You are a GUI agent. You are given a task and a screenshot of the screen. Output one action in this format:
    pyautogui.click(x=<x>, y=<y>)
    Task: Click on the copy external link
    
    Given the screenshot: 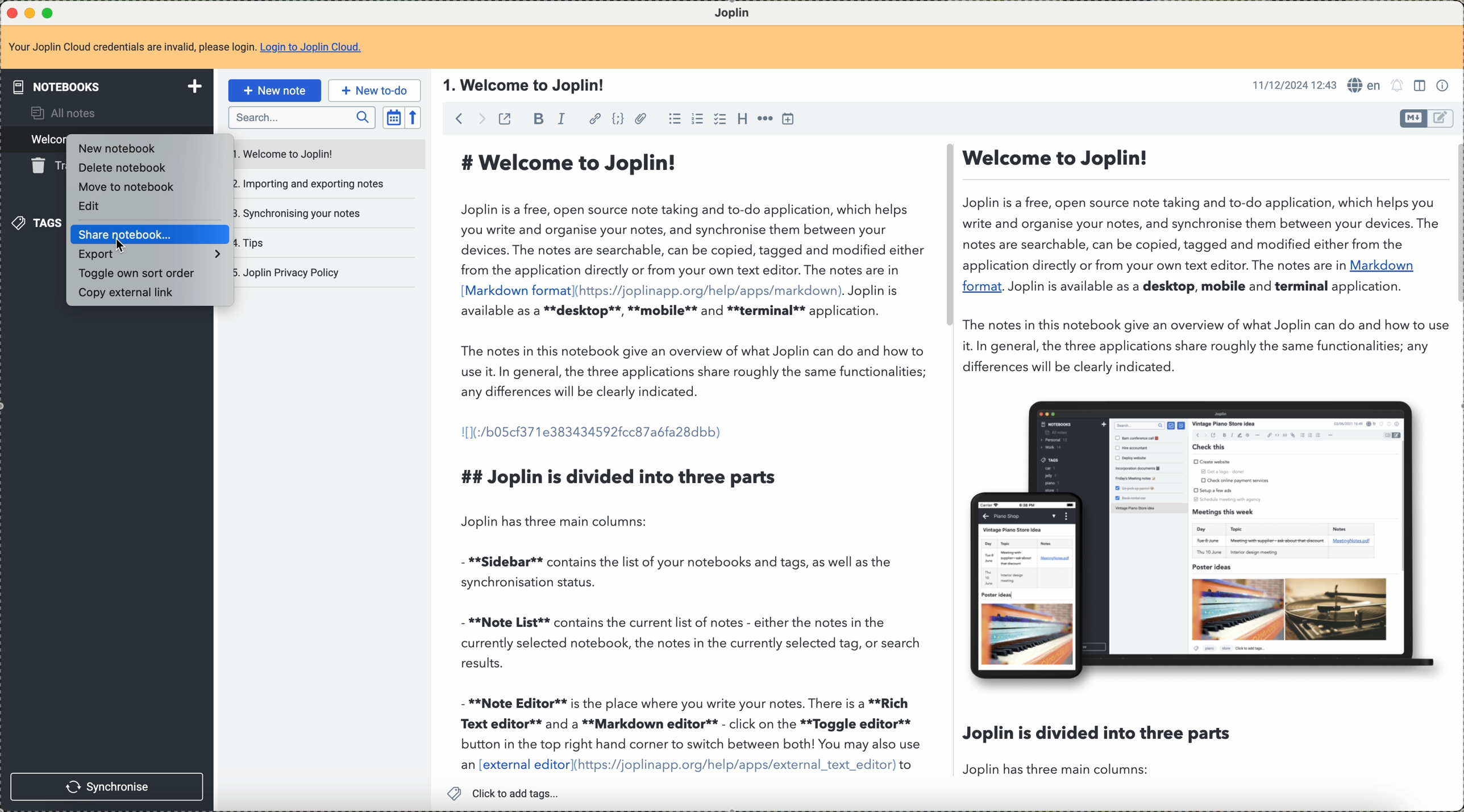 What is the action you would take?
    pyautogui.click(x=133, y=294)
    